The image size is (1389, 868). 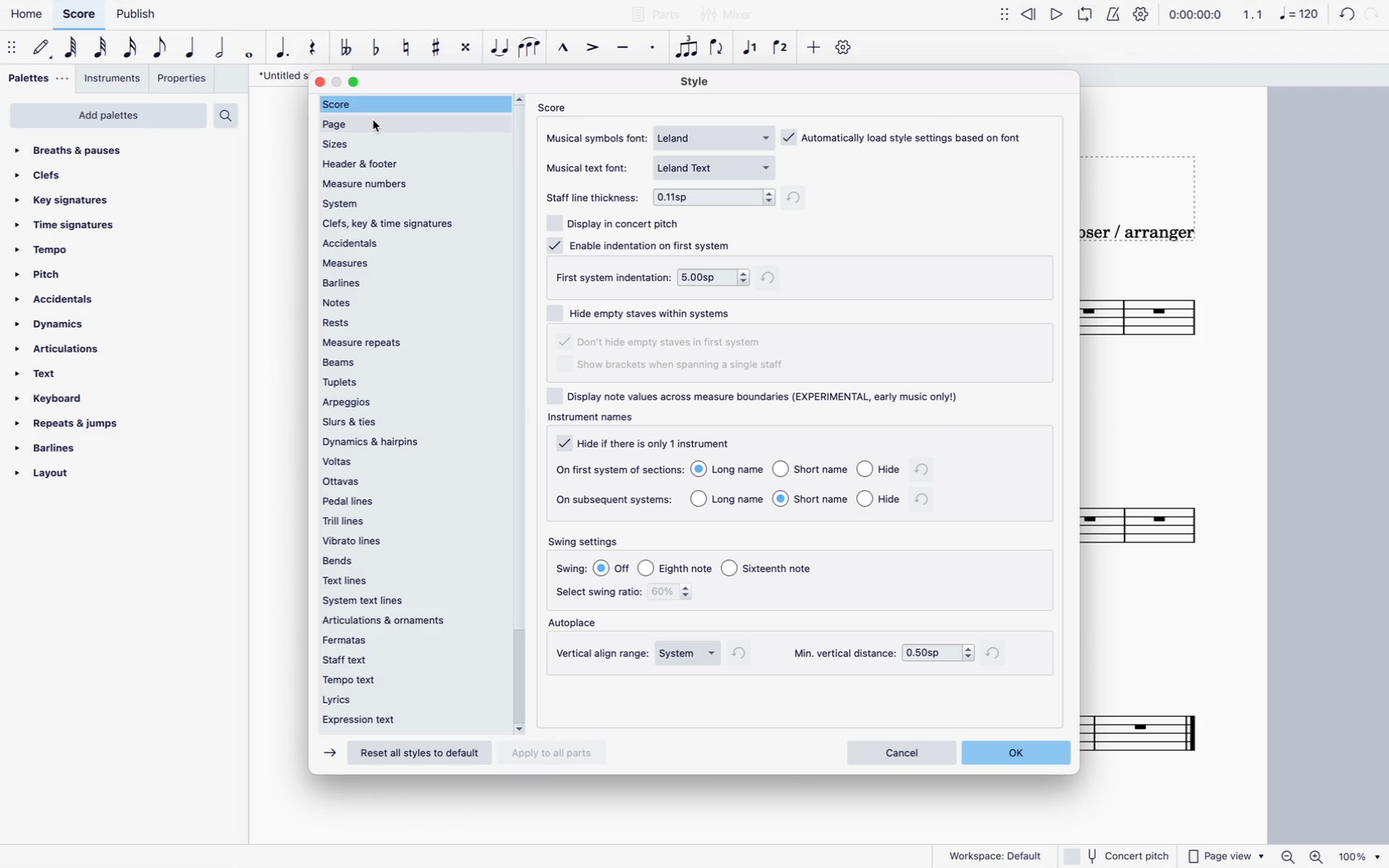 I want to click on hide, so click(x=649, y=441).